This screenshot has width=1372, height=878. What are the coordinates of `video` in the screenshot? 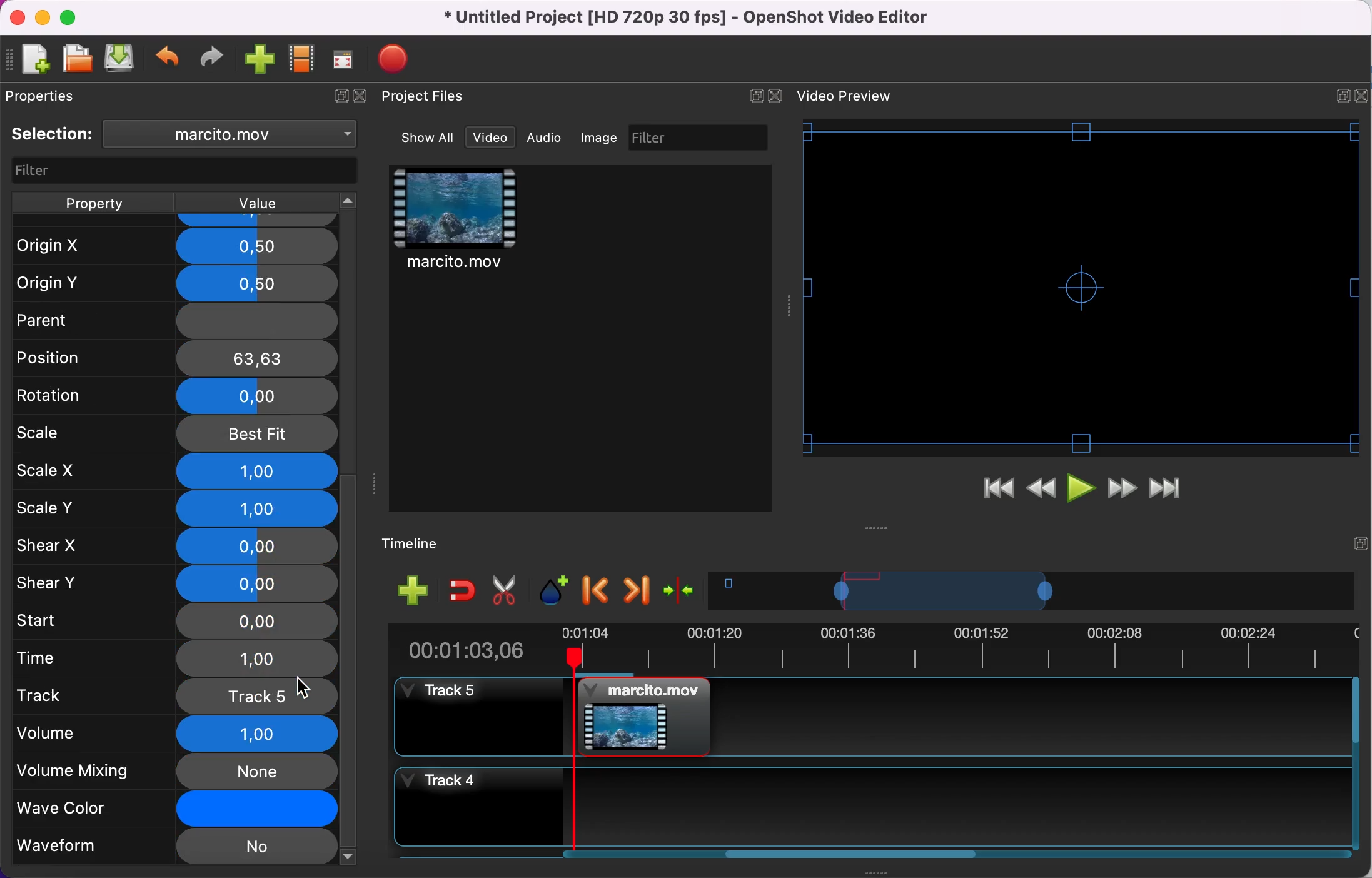 It's located at (490, 138).